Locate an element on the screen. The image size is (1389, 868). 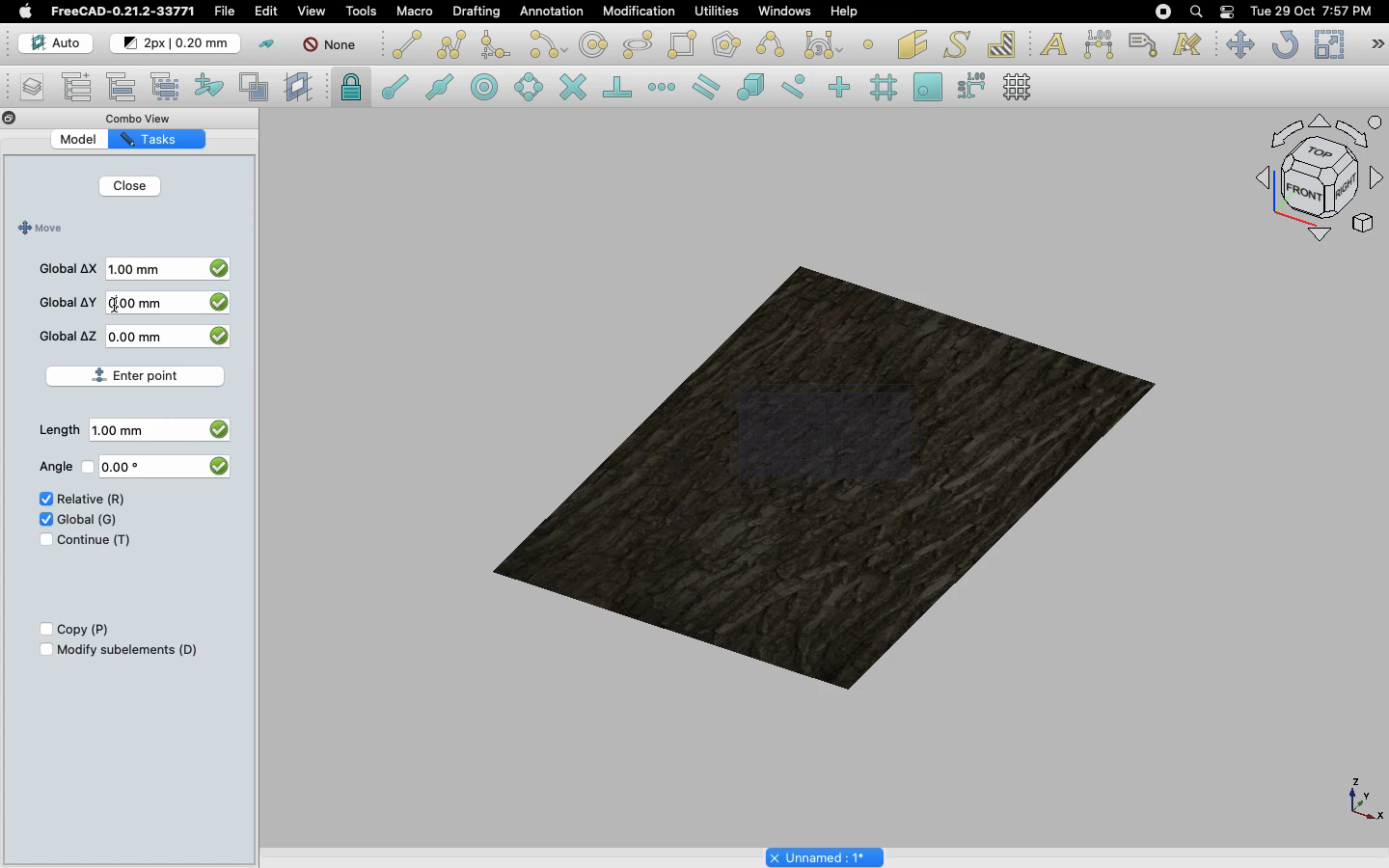
Selecting edit is located at coordinates (270, 13).